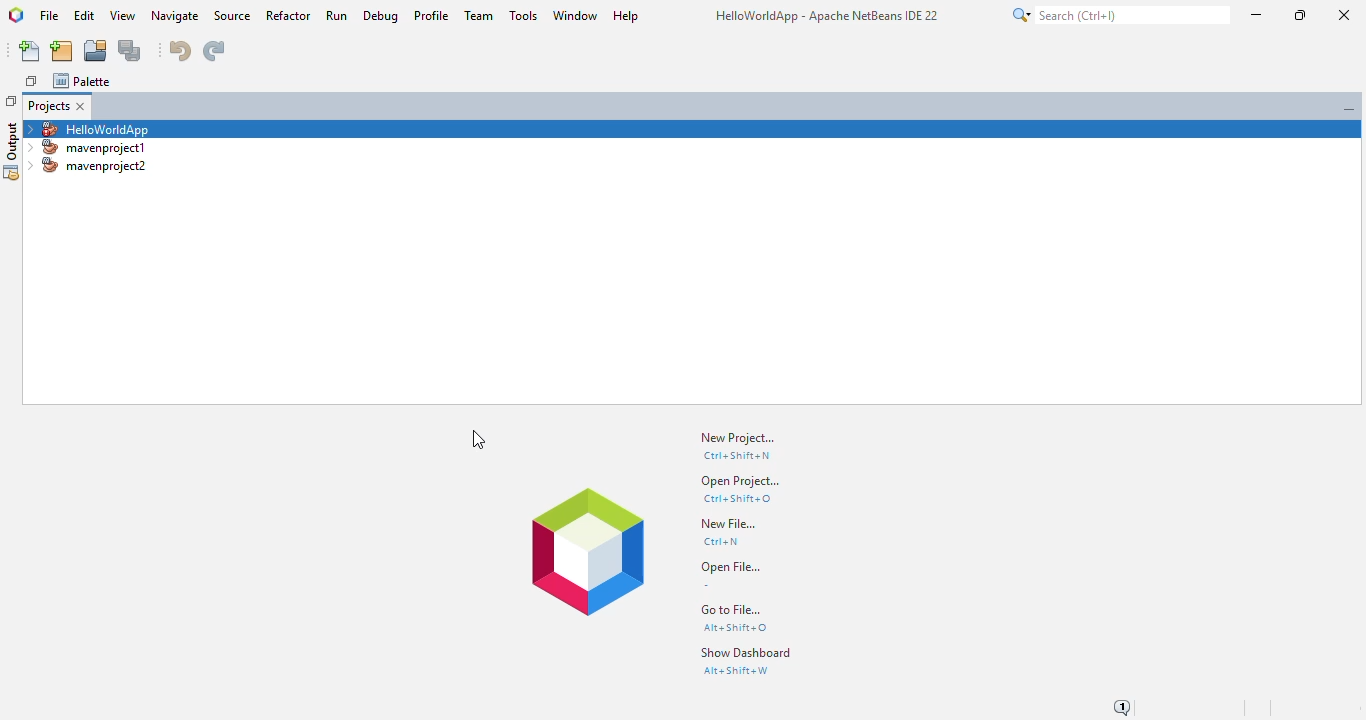 This screenshot has width=1366, height=720. What do you see at coordinates (738, 498) in the screenshot?
I see `shortcut for open project` at bounding box center [738, 498].